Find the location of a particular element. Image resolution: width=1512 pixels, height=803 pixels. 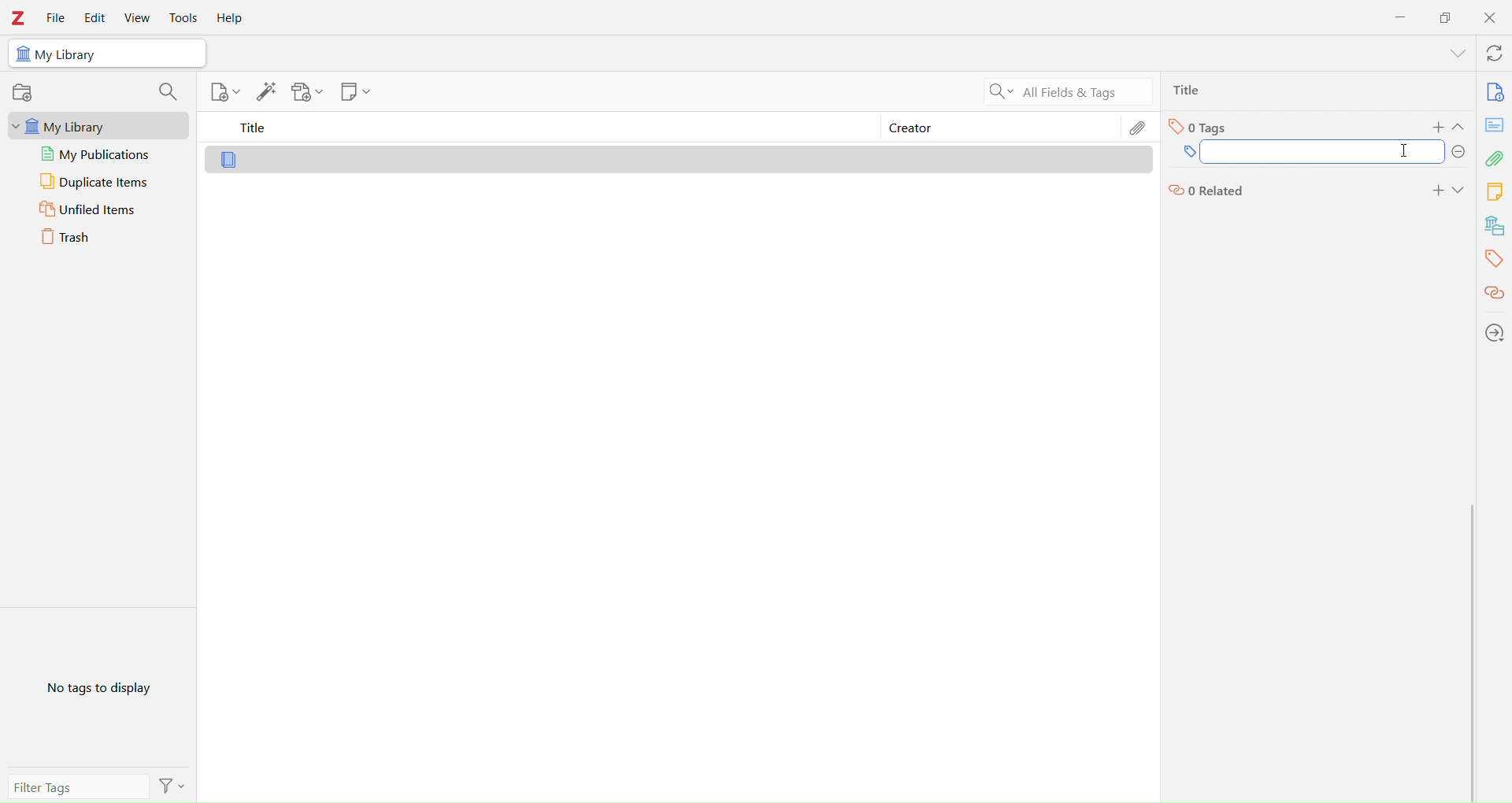

All Filters & Tags is located at coordinates (1065, 94).